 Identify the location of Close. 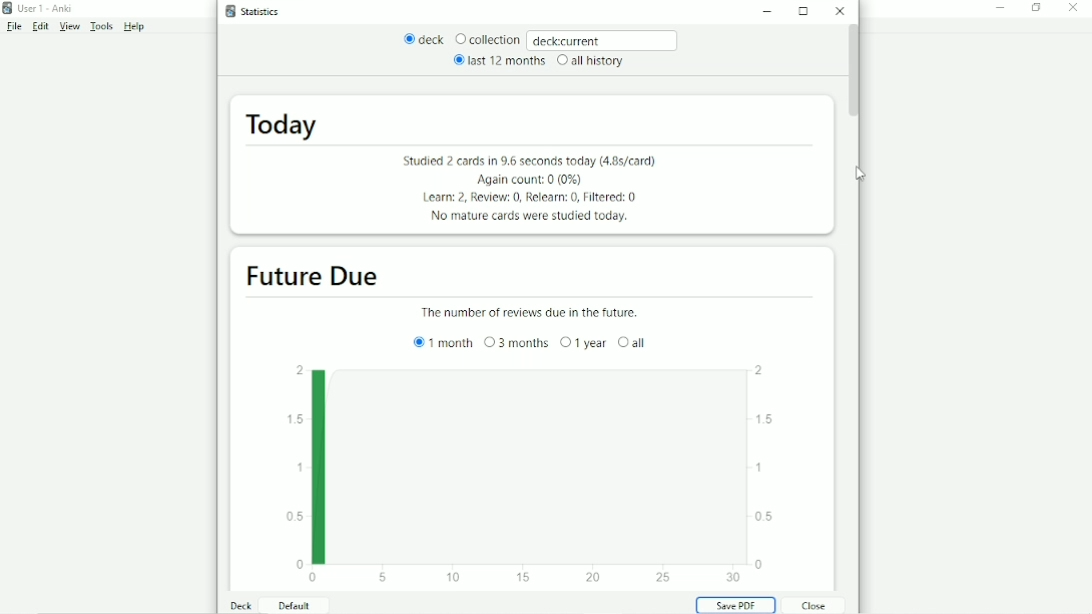
(1076, 8).